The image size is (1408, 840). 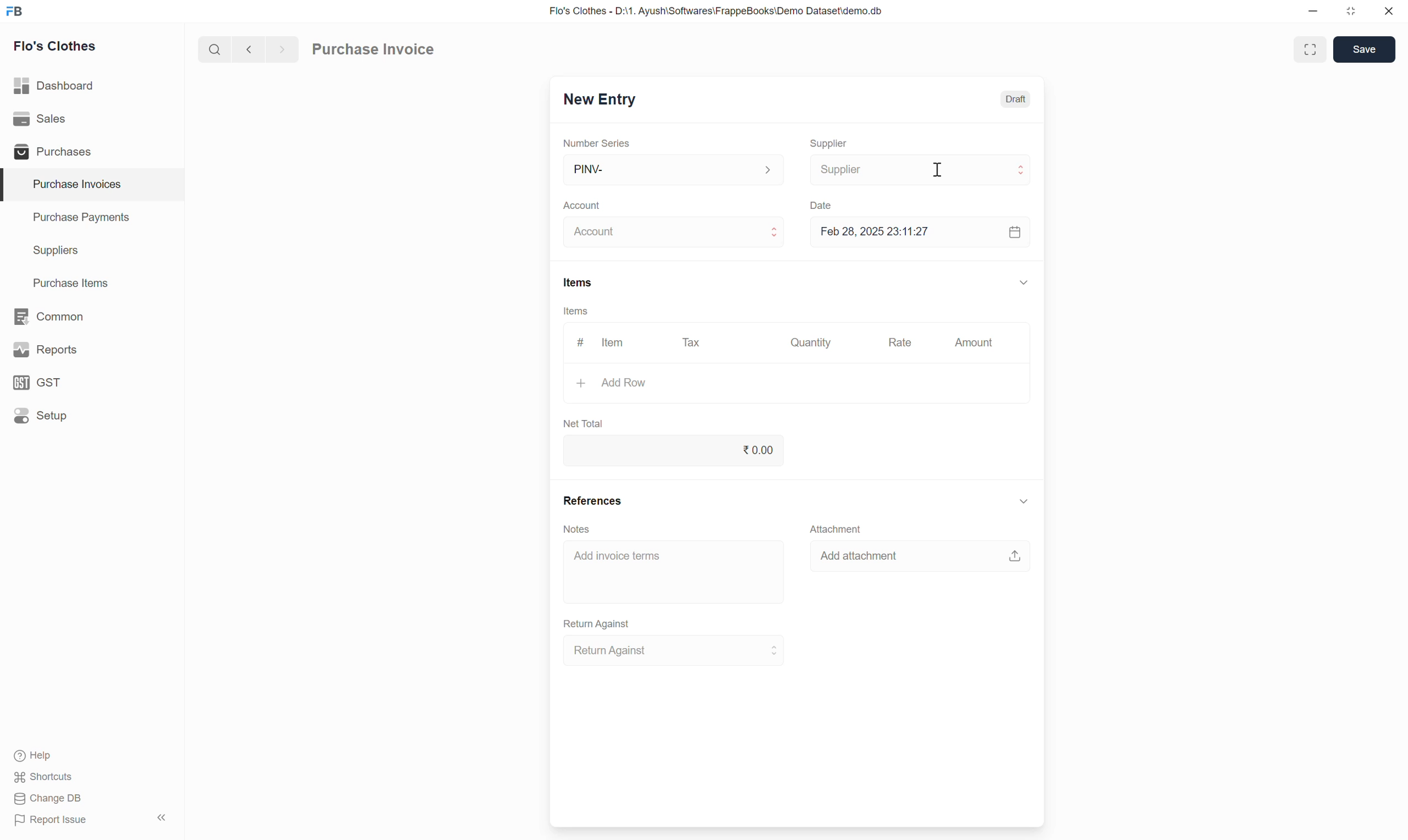 I want to click on References, so click(x=593, y=500).